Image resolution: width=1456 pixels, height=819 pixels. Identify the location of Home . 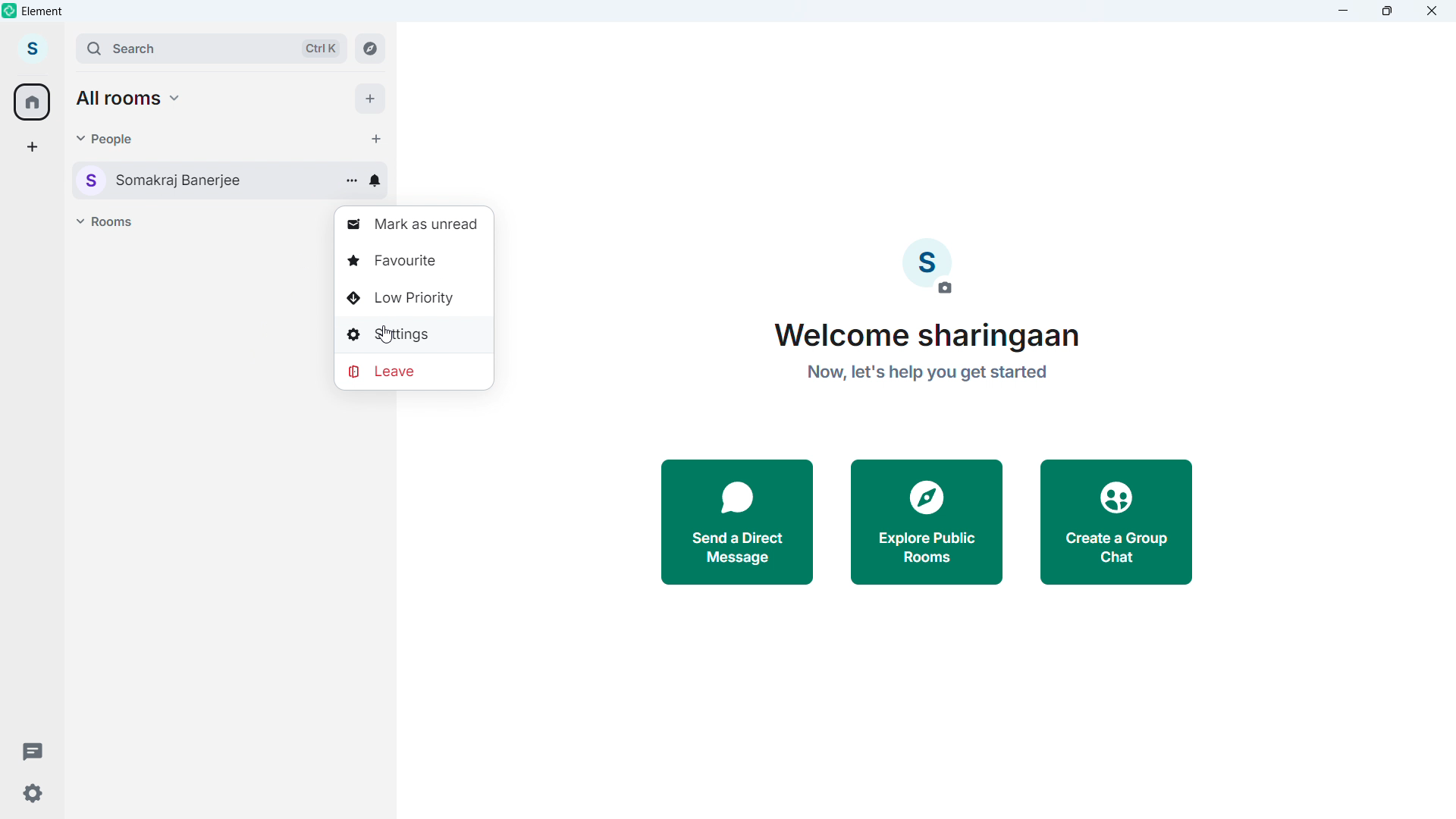
(33, 102).